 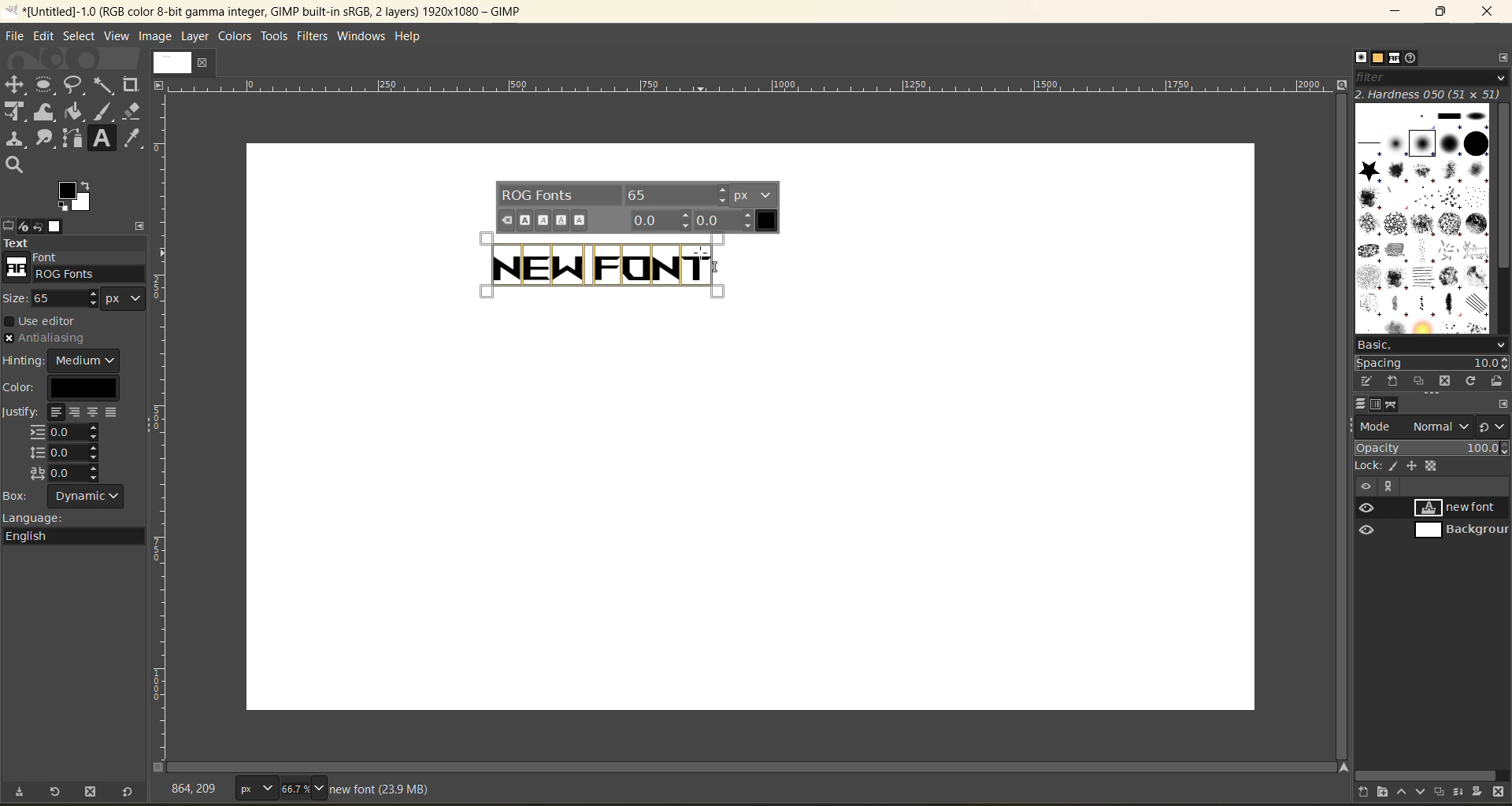 I want to click on size, so click(x=75, y=301).